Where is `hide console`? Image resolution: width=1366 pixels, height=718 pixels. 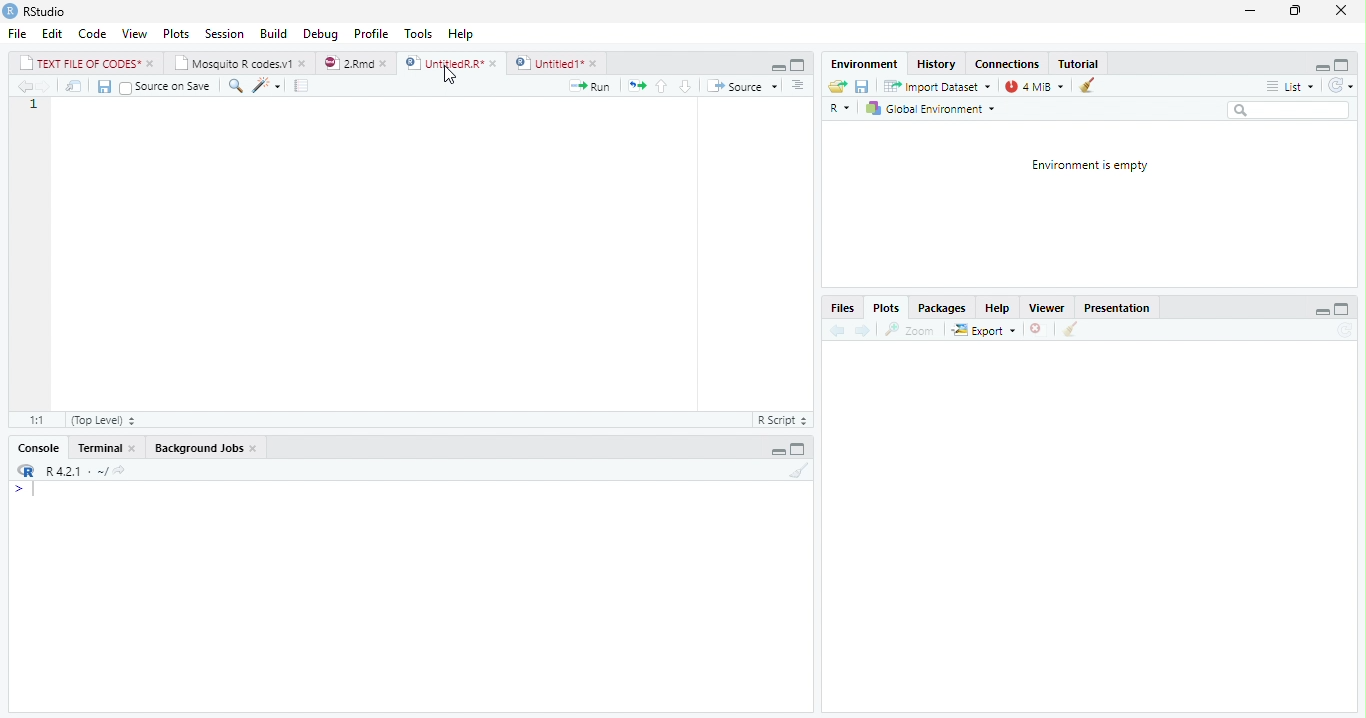
hide console is located at coordinates (800, 447).